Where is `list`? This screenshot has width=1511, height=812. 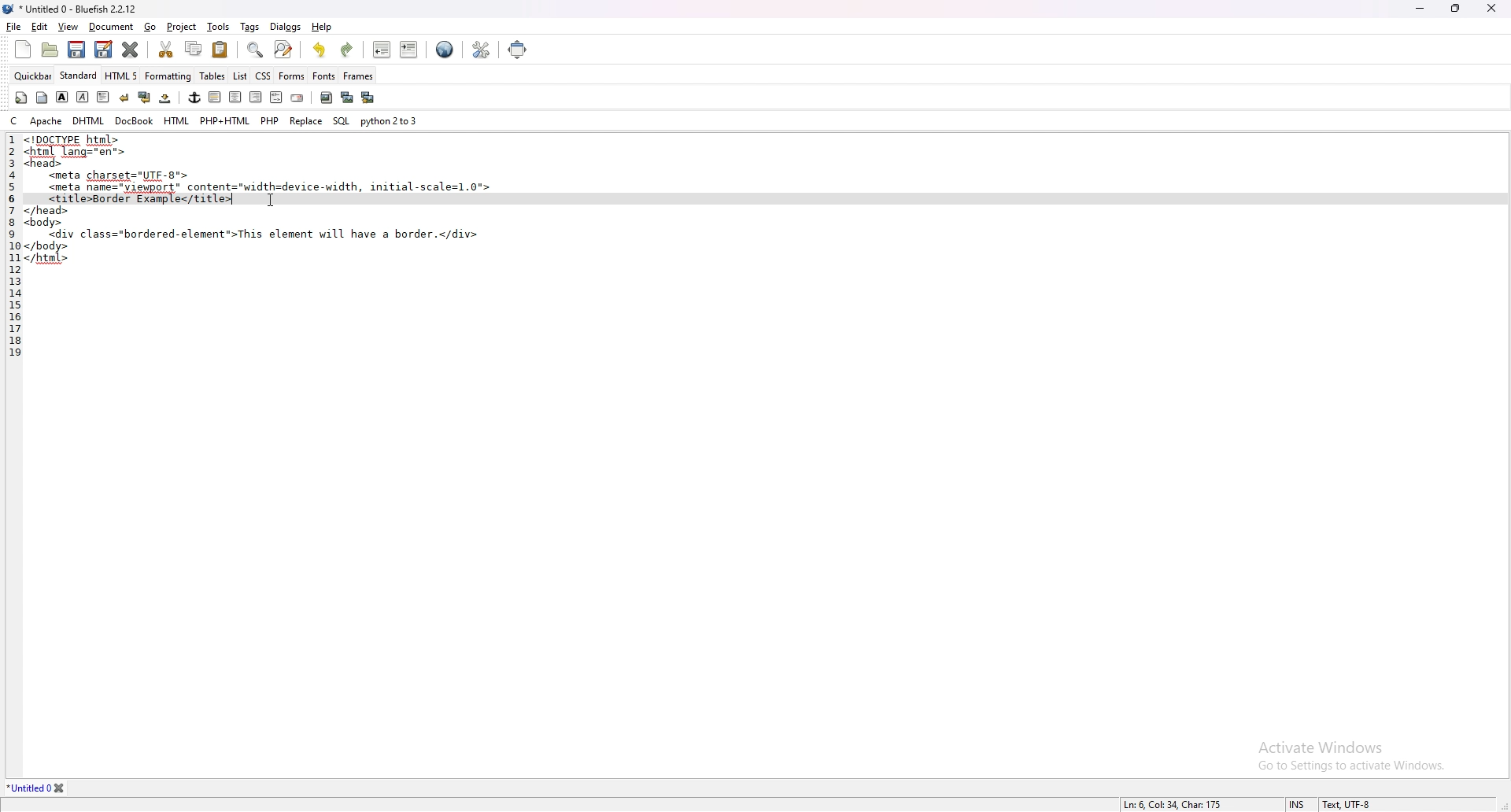 list is located at coordinates (240, 76).